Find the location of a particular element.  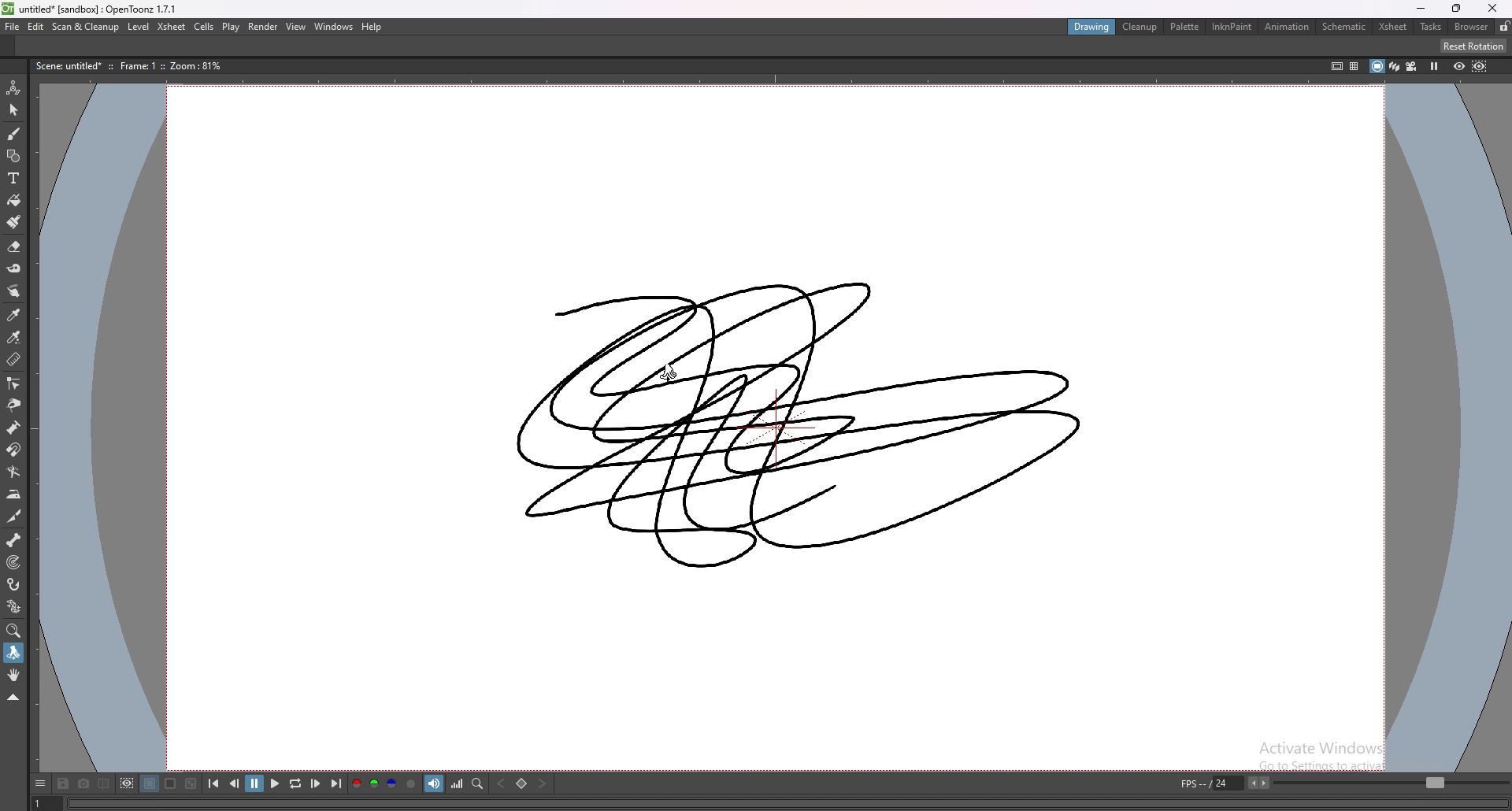

selection tool is located at coordinates (13, 110).